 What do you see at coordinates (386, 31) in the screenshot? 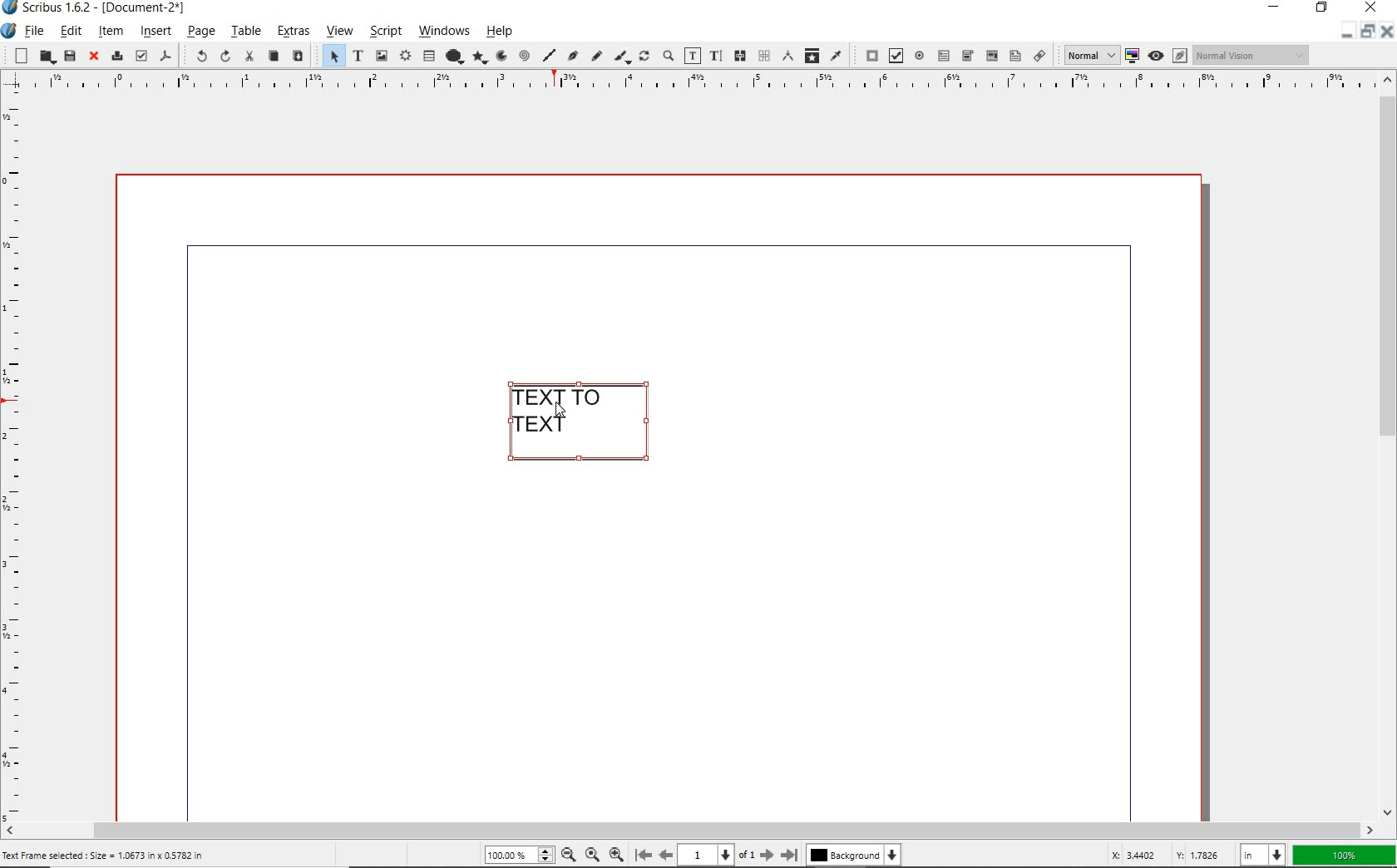
I see `script` at bounding box center [386, 31].